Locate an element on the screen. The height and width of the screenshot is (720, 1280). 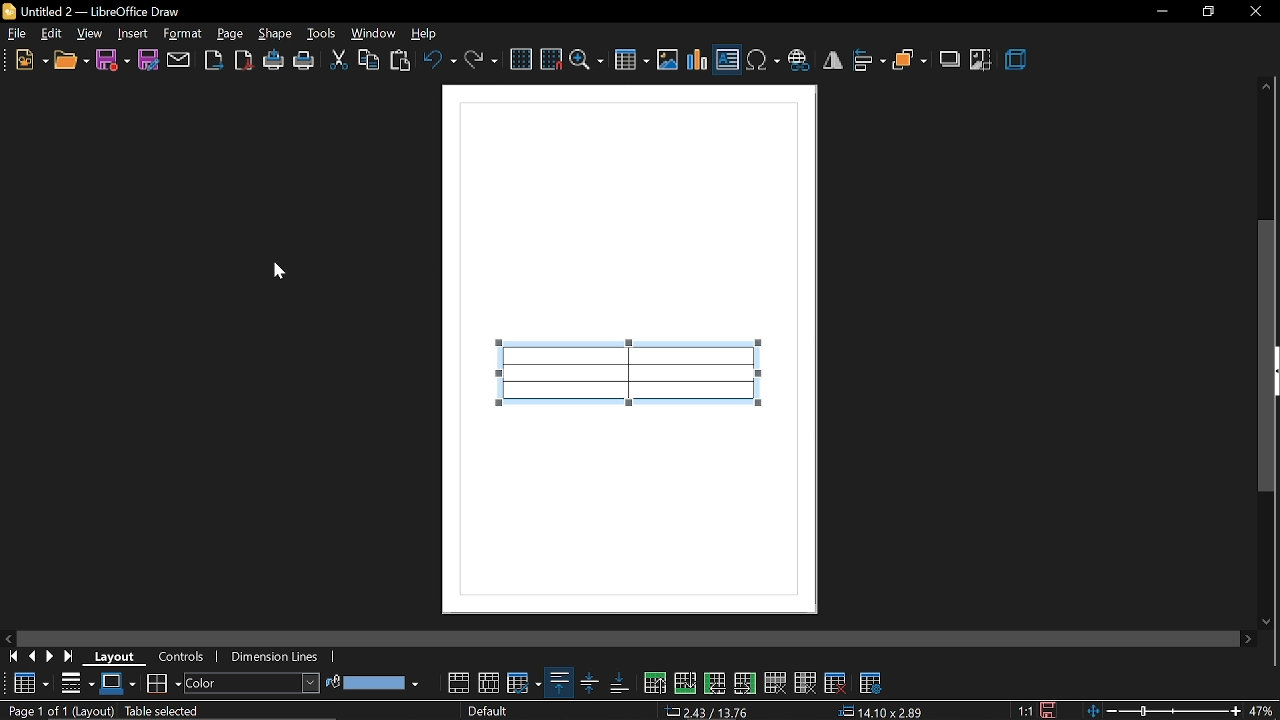
optimize is located at coordinates (523, 683).